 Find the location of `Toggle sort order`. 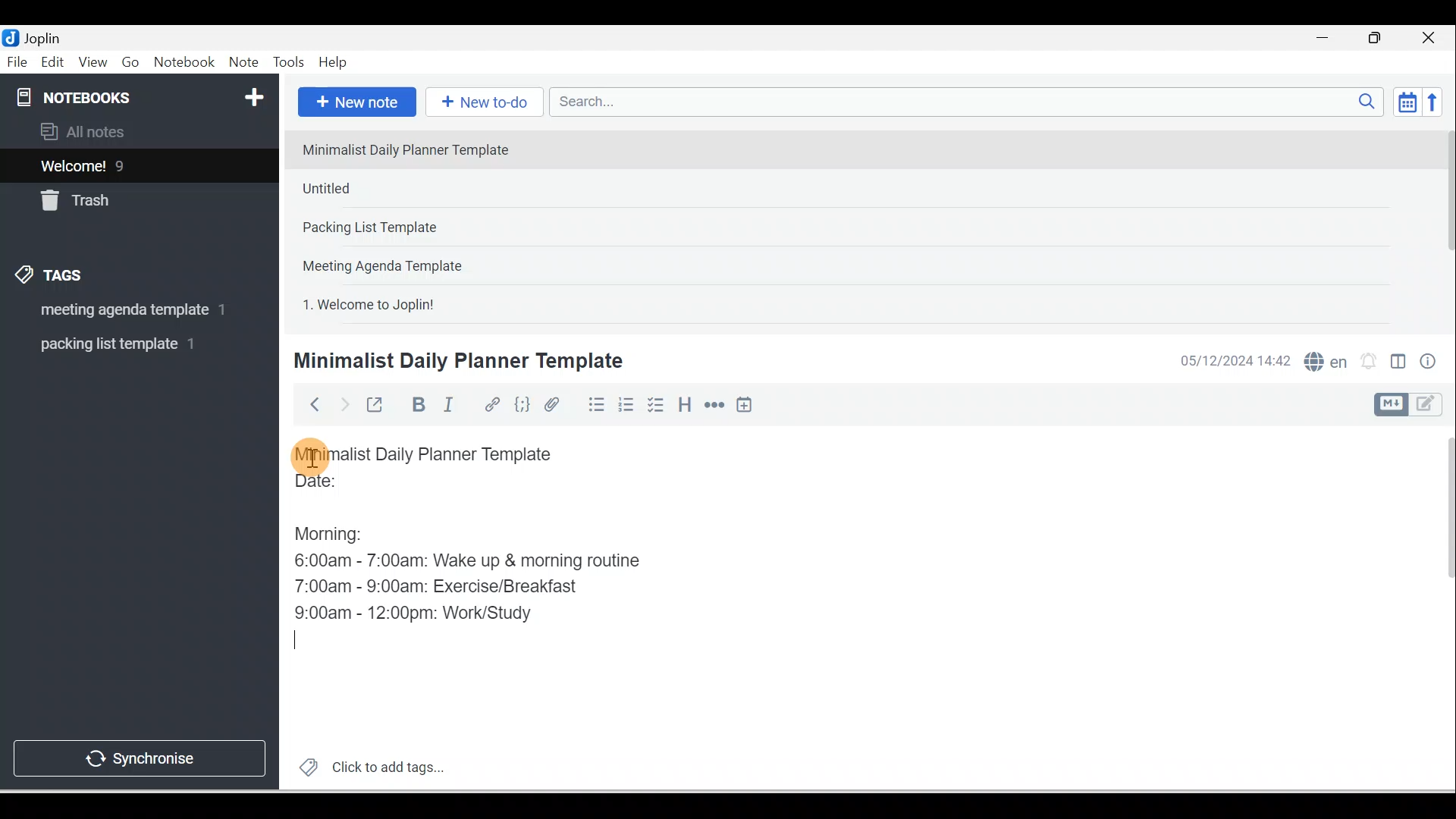

Toggle sort order is located at coordinates (1407, 101).